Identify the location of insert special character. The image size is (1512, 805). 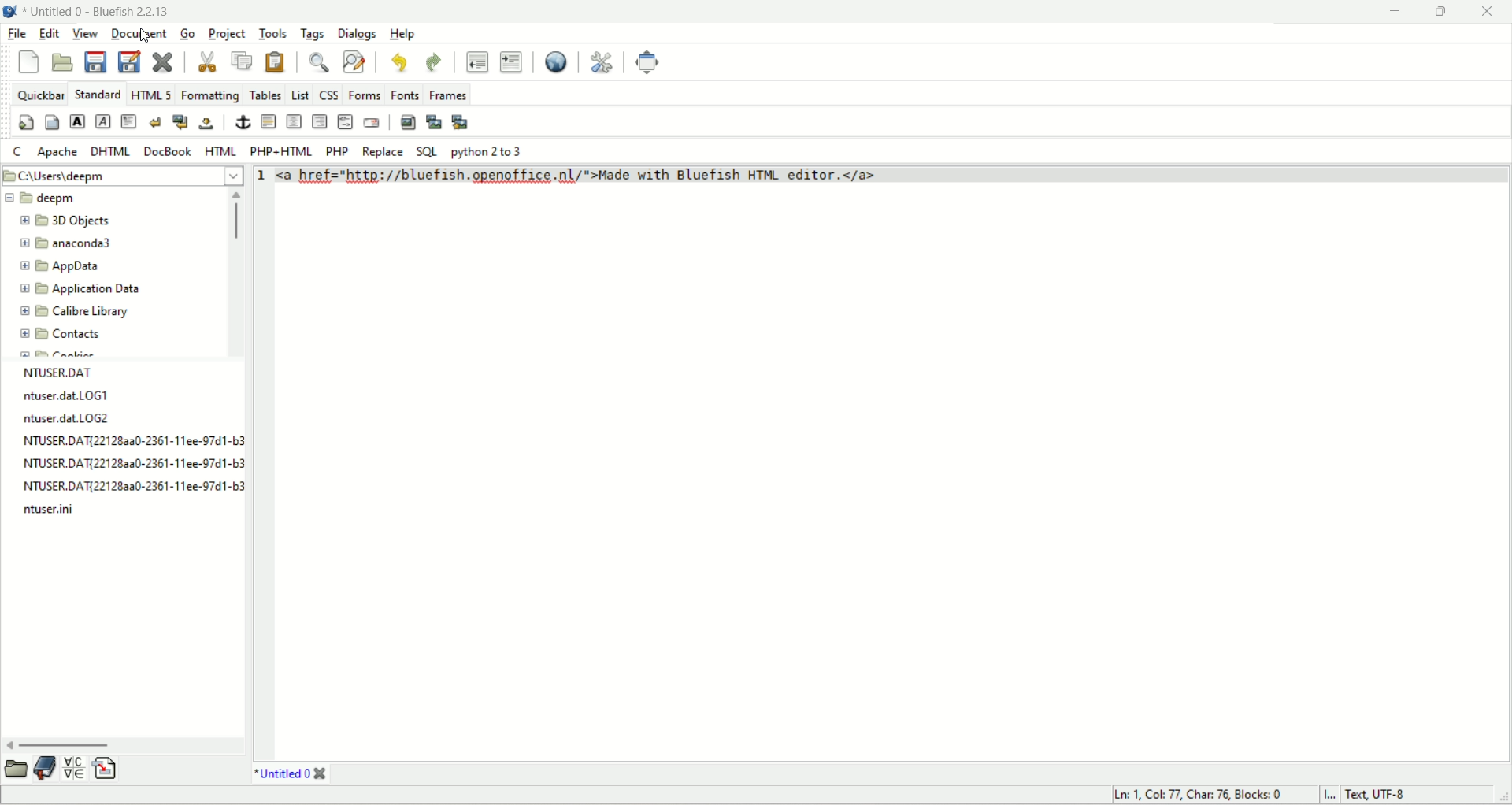
(75, 768).